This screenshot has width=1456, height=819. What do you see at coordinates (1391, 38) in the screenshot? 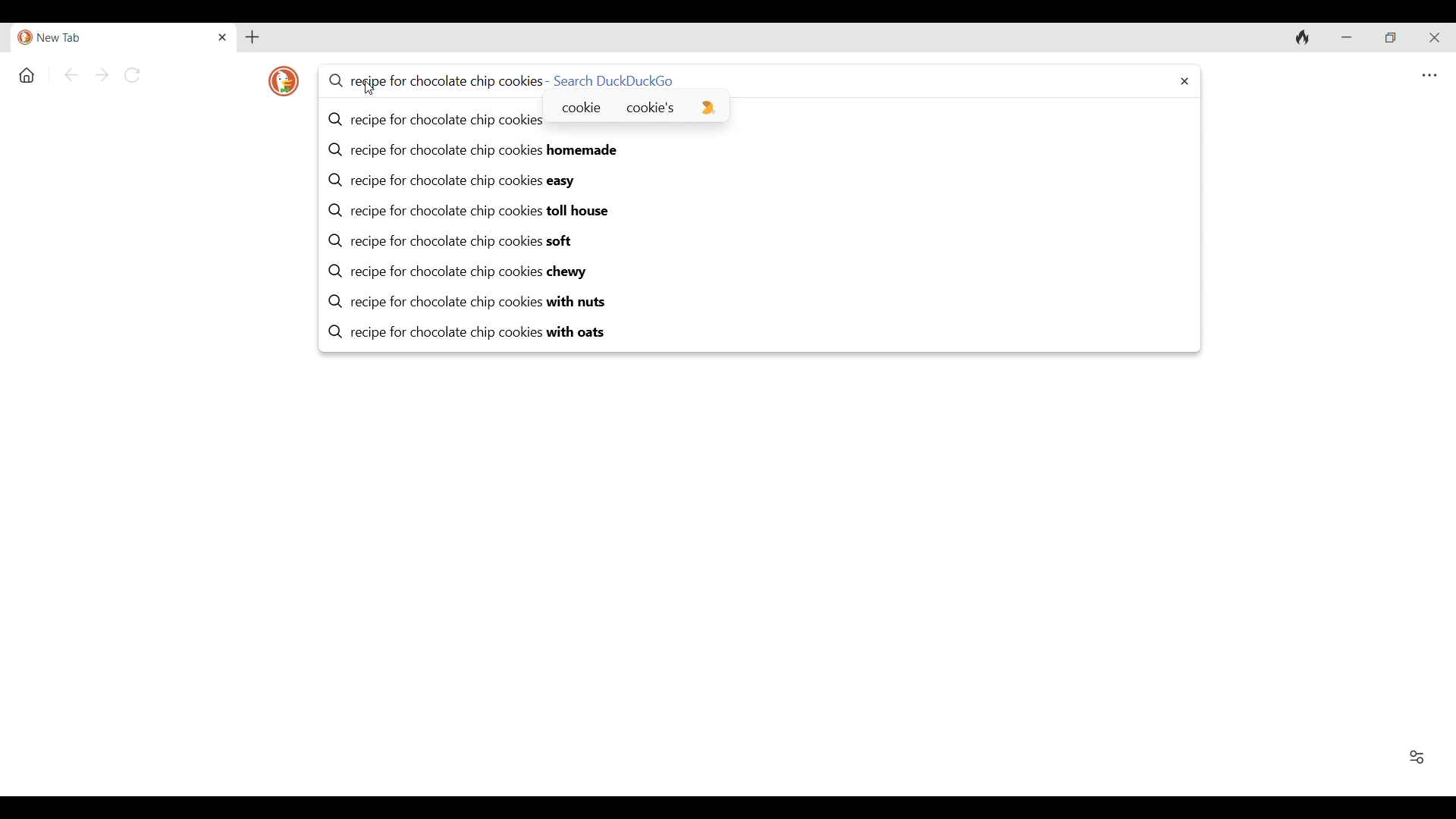
I see `Show interface in a smaller tab` at bounding box center [1391, 38].